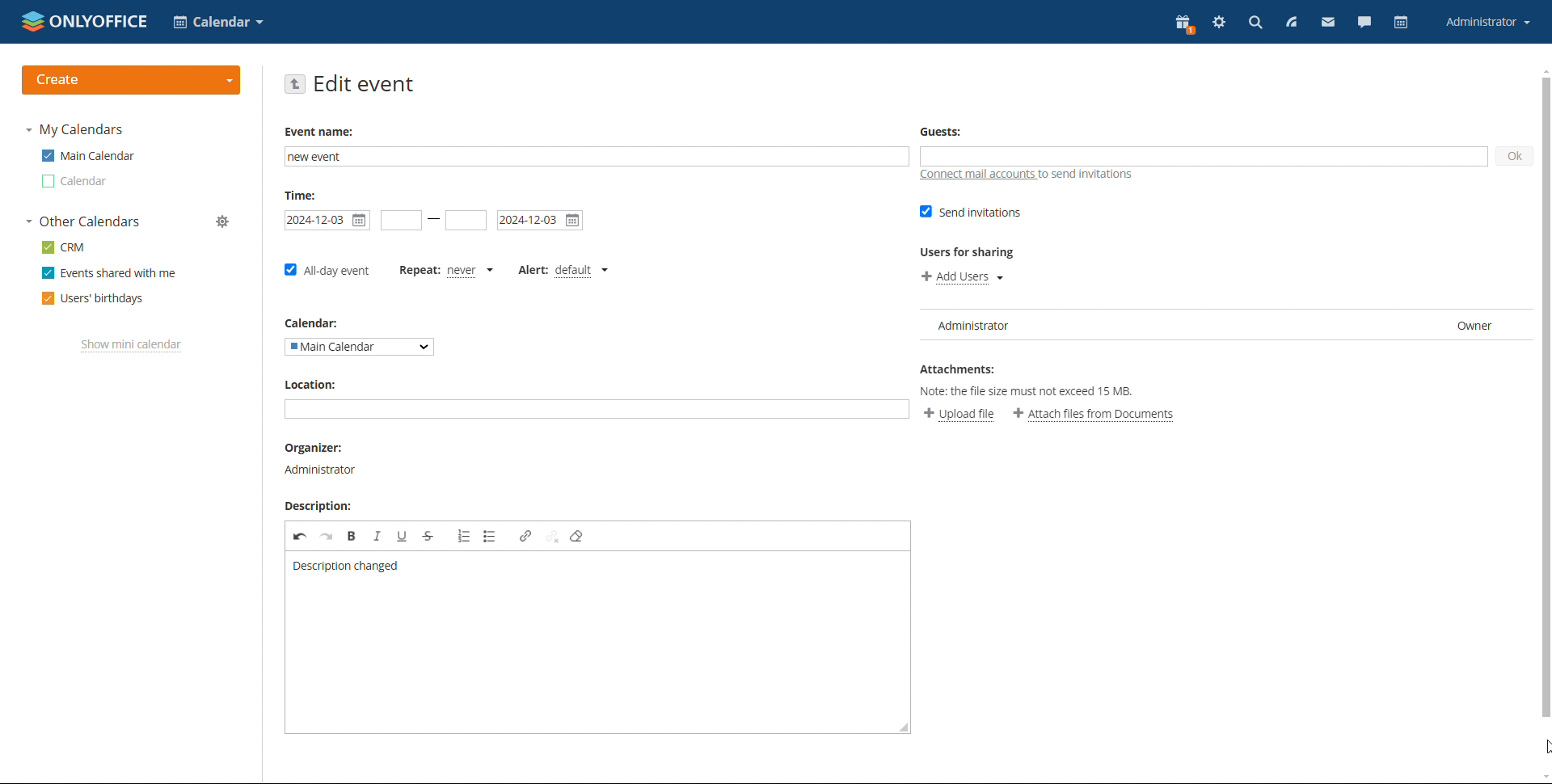 Image resolution: width=1552 pixels, height=784 pixels. What do you see at coordinates (352, 536) in the screenshot?
I see `bold` at bounding box center [352, 536].